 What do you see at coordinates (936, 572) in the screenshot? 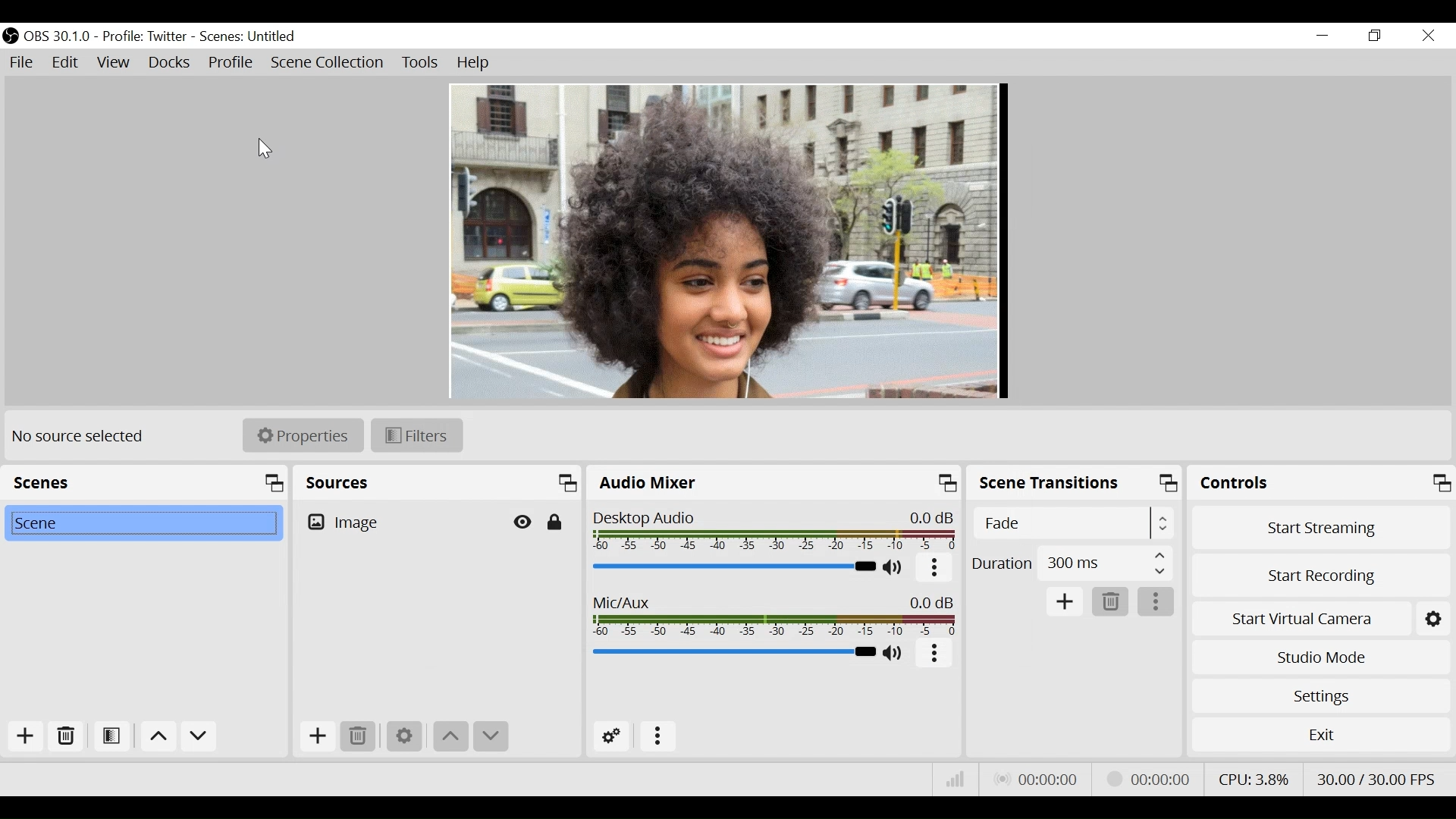
I see `More Options` at bounding box center [936, 572].